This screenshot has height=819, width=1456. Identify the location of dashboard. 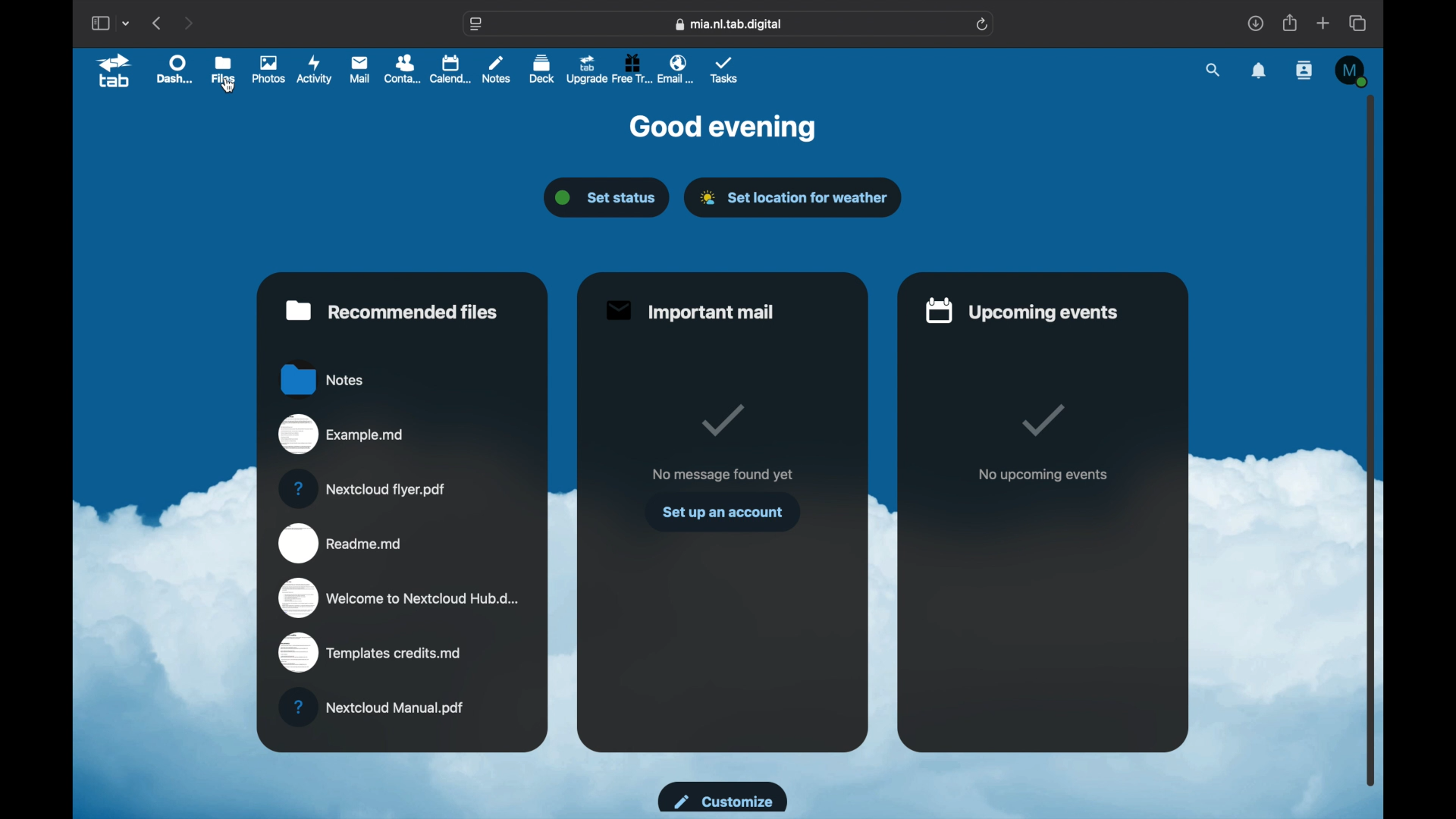
(174, 68).